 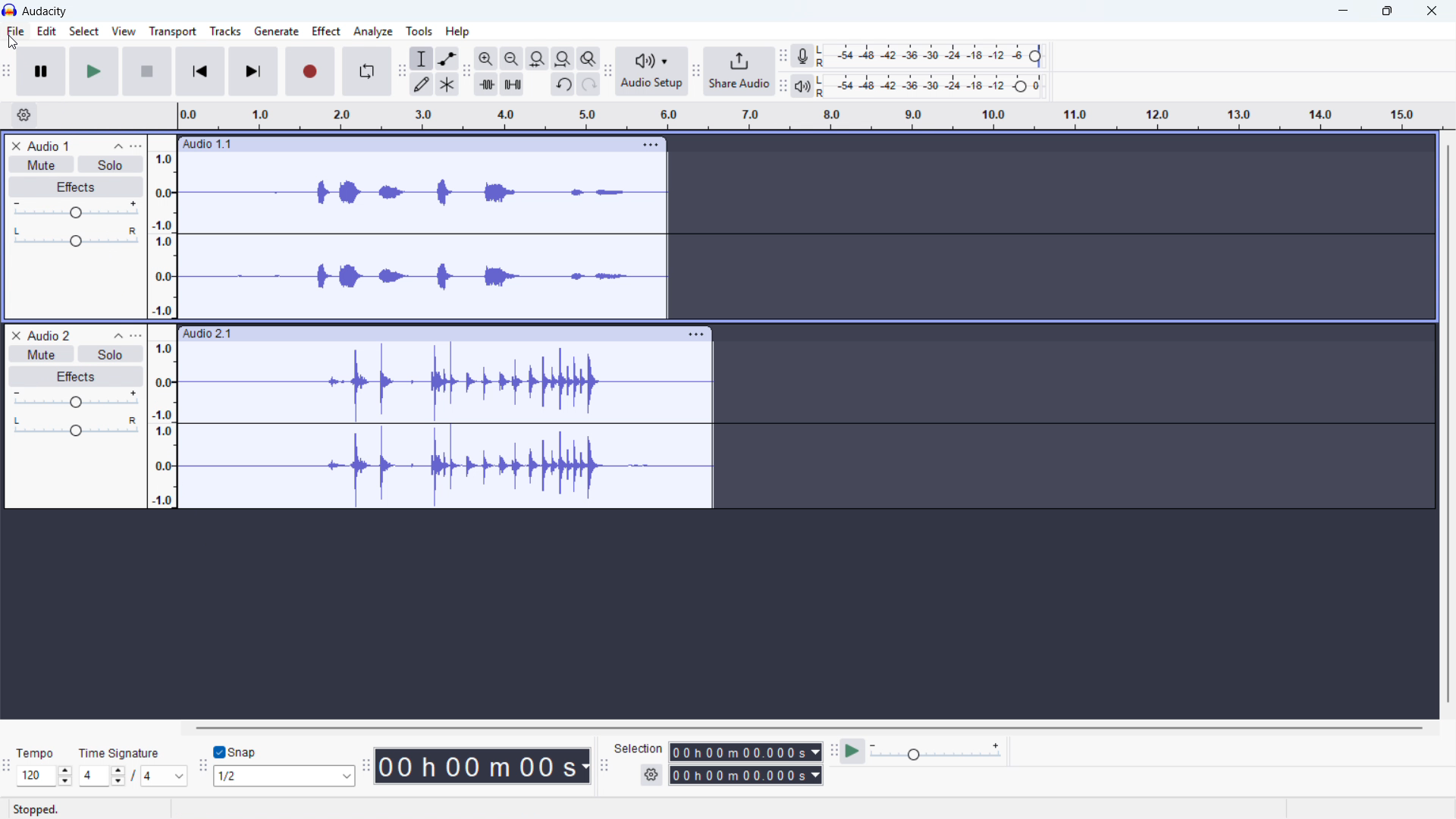 I want to click on Recording metre, so click(x=802, y=56).